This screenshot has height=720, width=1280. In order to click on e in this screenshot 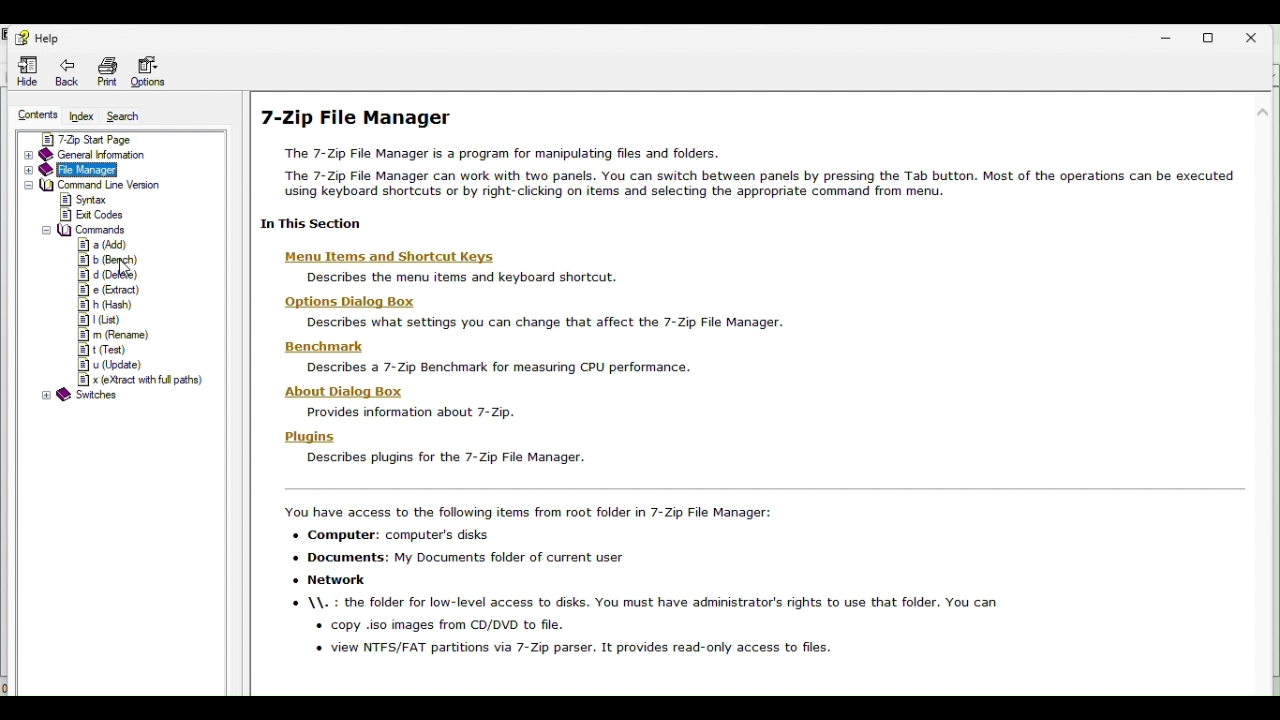, I will do `click(108, 290)`.